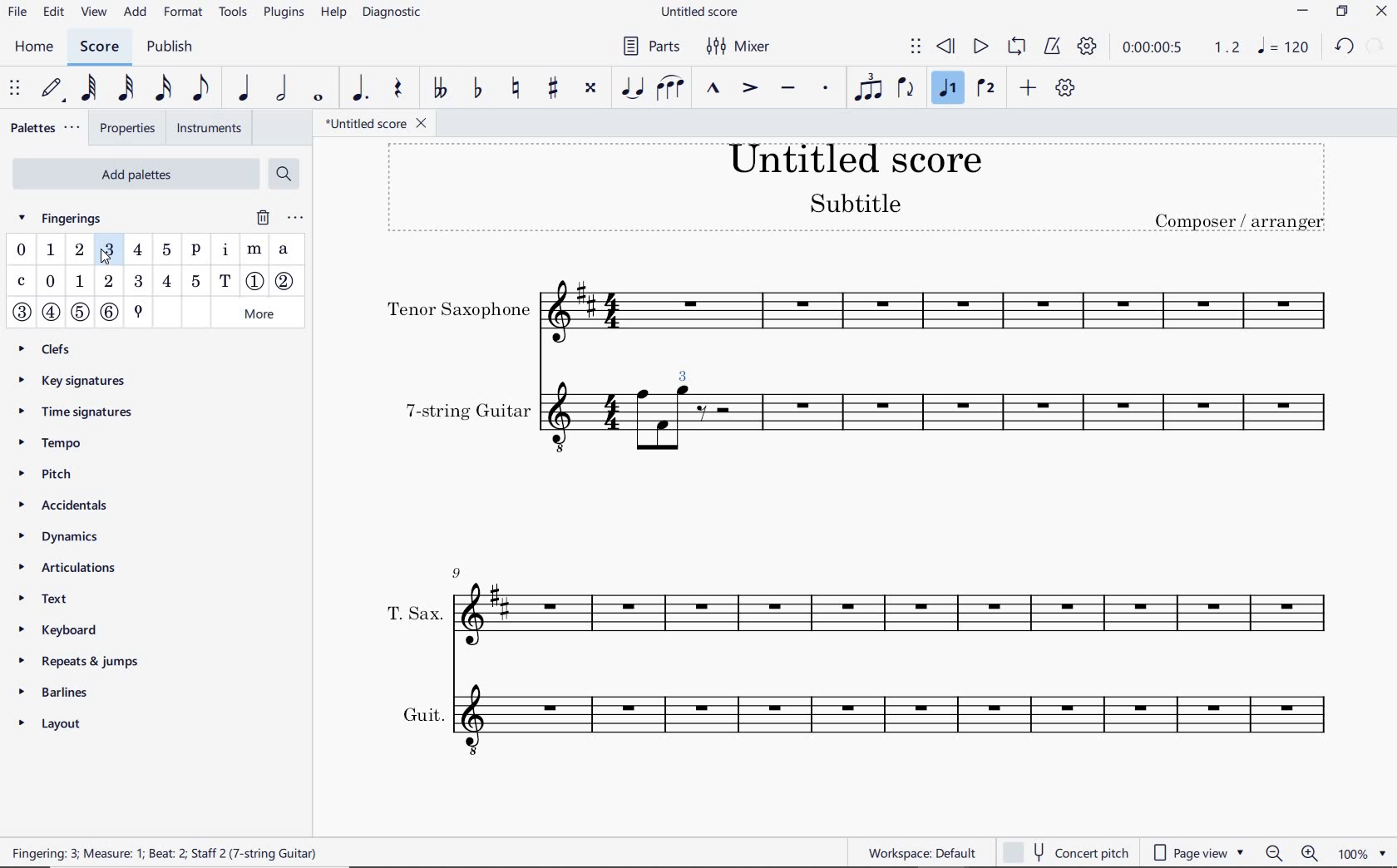  I want to click on INSTRUMENT: T.SAX, so click(858, 606).